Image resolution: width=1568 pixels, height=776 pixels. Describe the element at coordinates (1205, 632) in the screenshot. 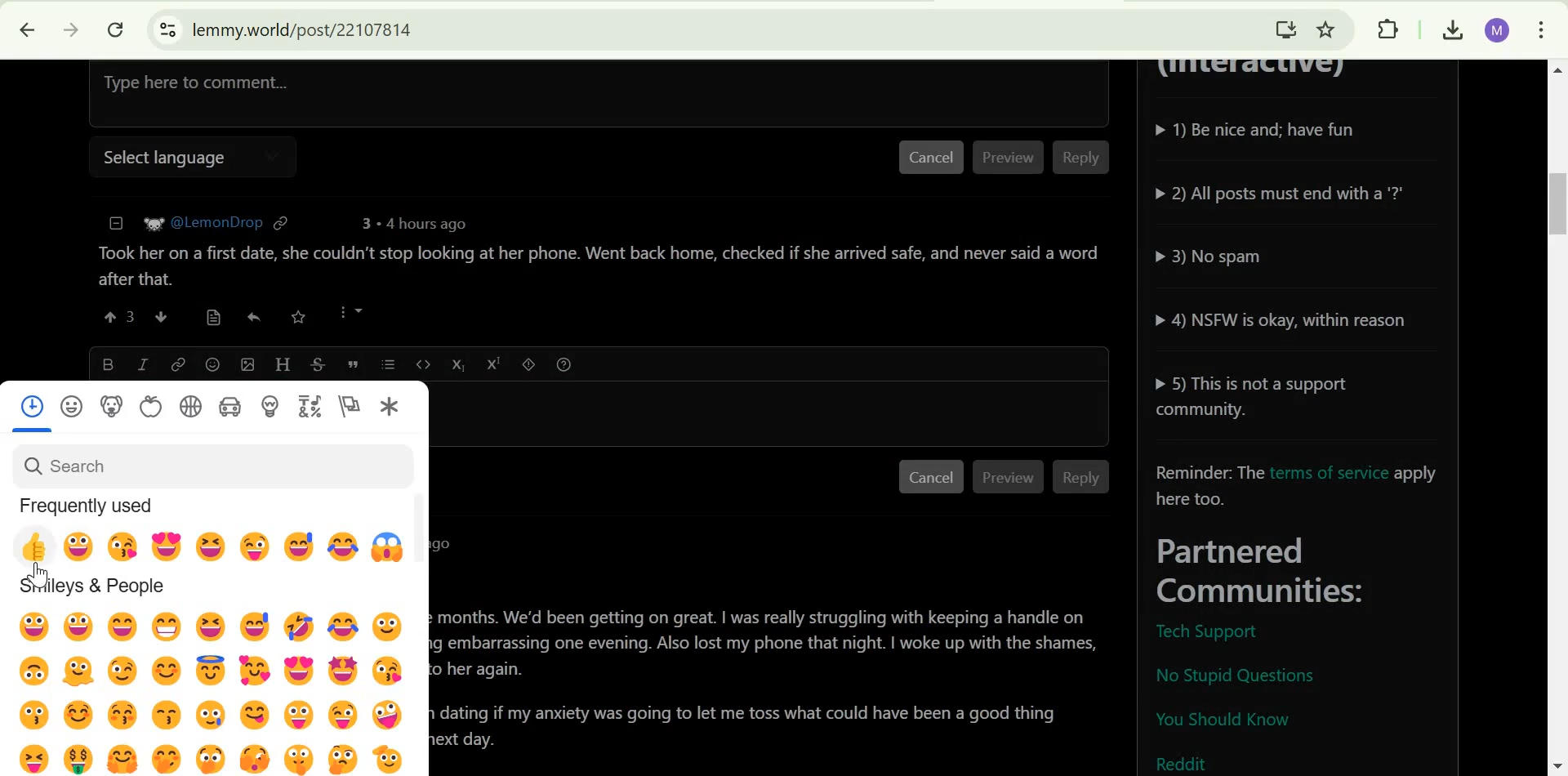

I see `Tech Support` at that location.